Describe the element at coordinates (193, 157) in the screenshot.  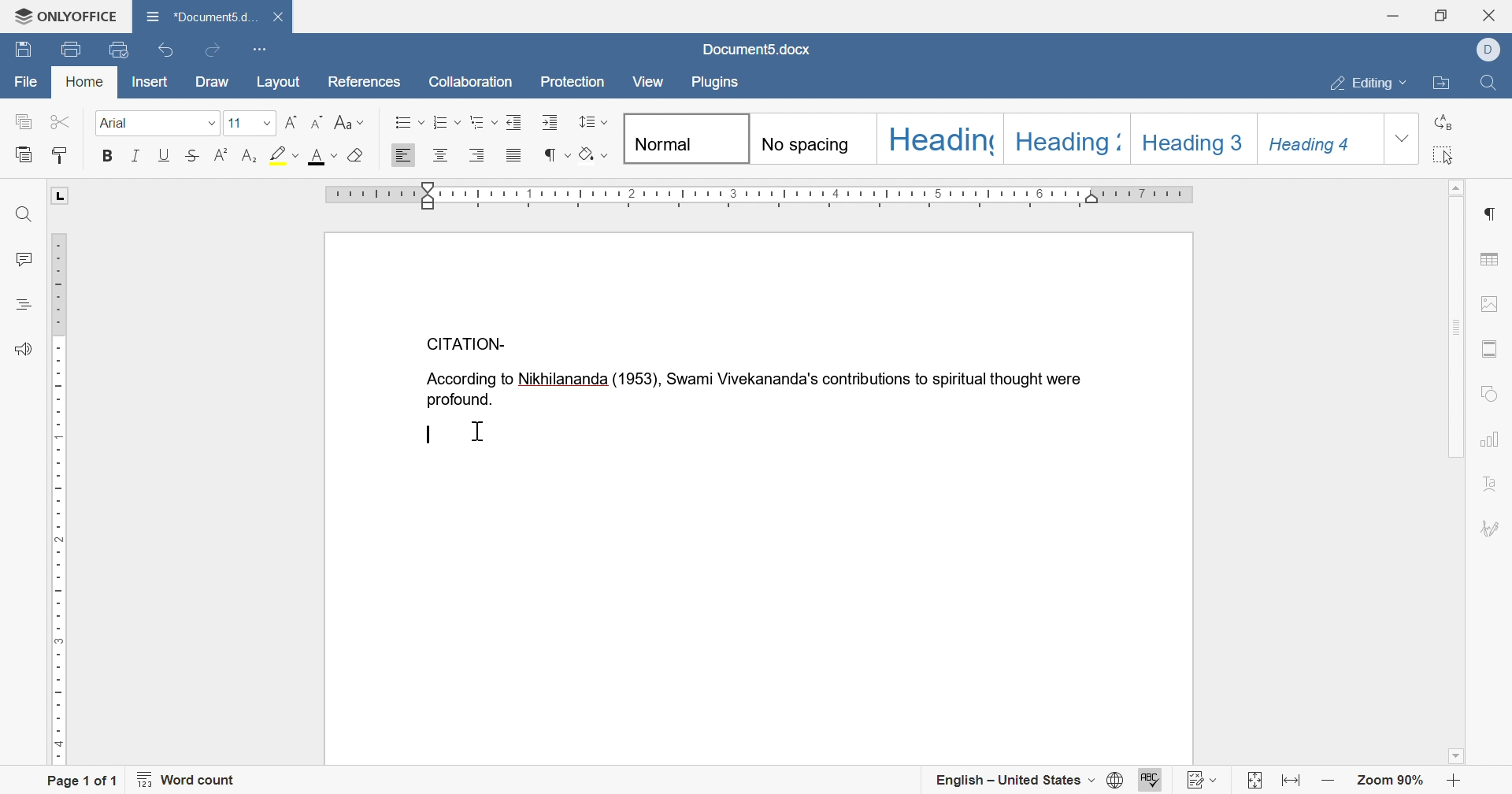
I see `strikethrough` at that location.